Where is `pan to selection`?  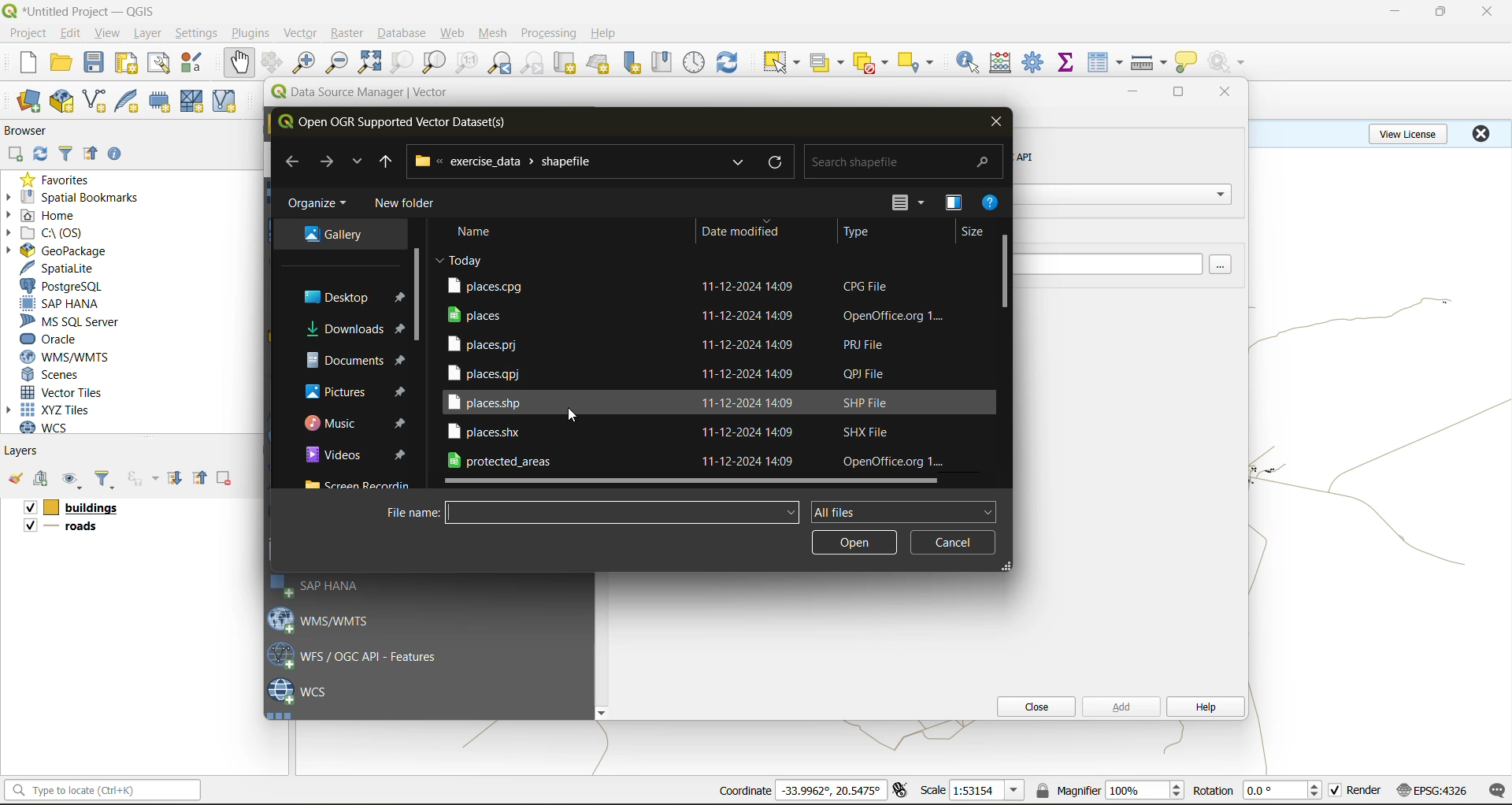 pan to selection is located at coordinates (272, 64).